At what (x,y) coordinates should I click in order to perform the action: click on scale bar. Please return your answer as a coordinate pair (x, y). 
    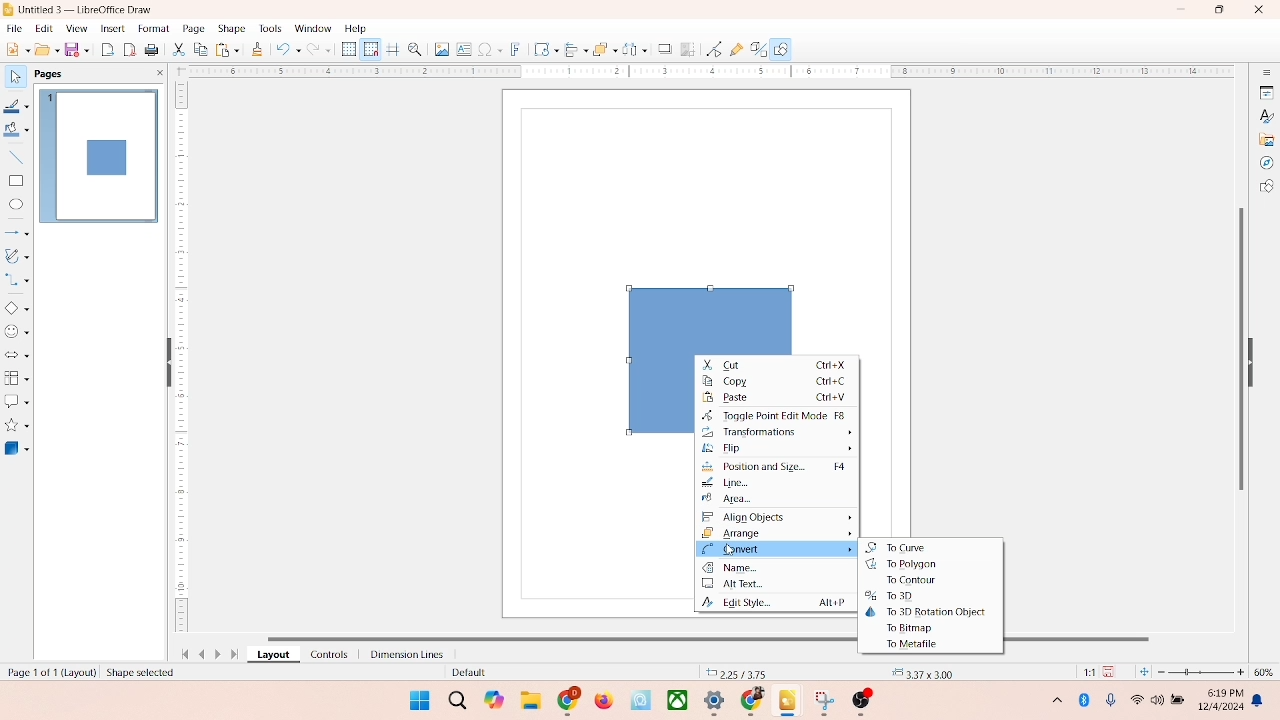
    Looking at the image, I should click on (704, 72).